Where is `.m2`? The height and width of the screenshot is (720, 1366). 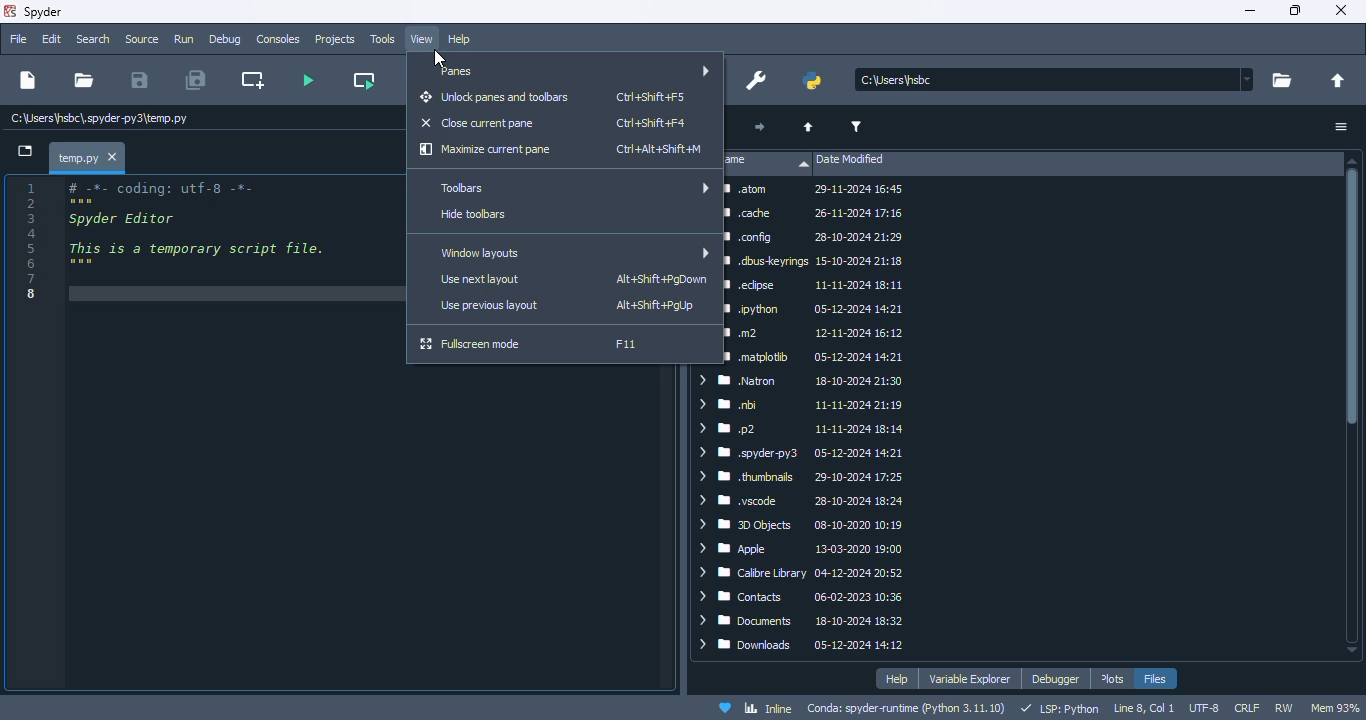
.m2 is located at coordinates (815, 334).